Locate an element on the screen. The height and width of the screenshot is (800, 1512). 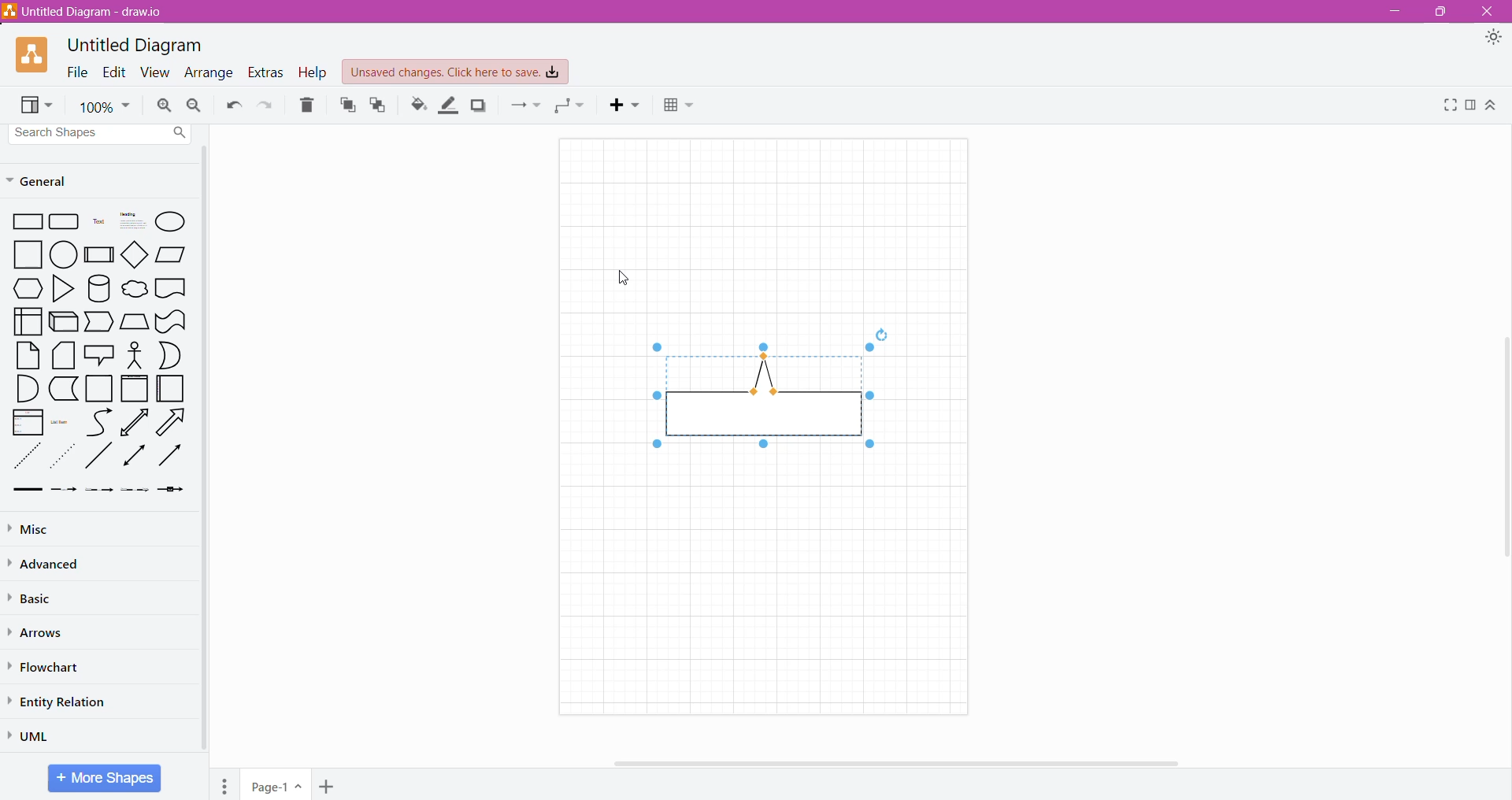
Text (Label) is located at coordinates (97, 224).